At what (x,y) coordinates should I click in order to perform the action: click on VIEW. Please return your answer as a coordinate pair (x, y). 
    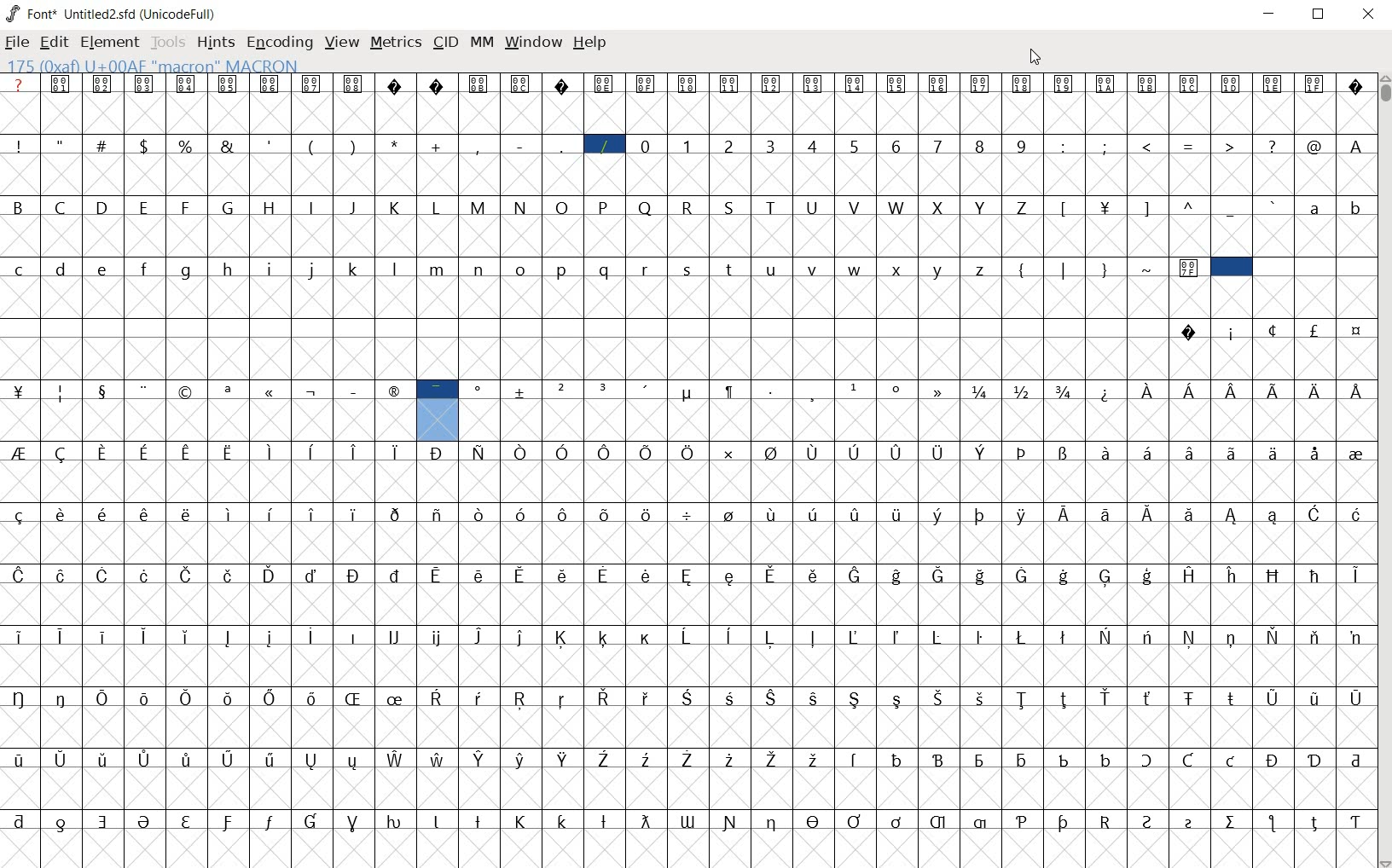
    Looking at the image, I should click on (342, 43).